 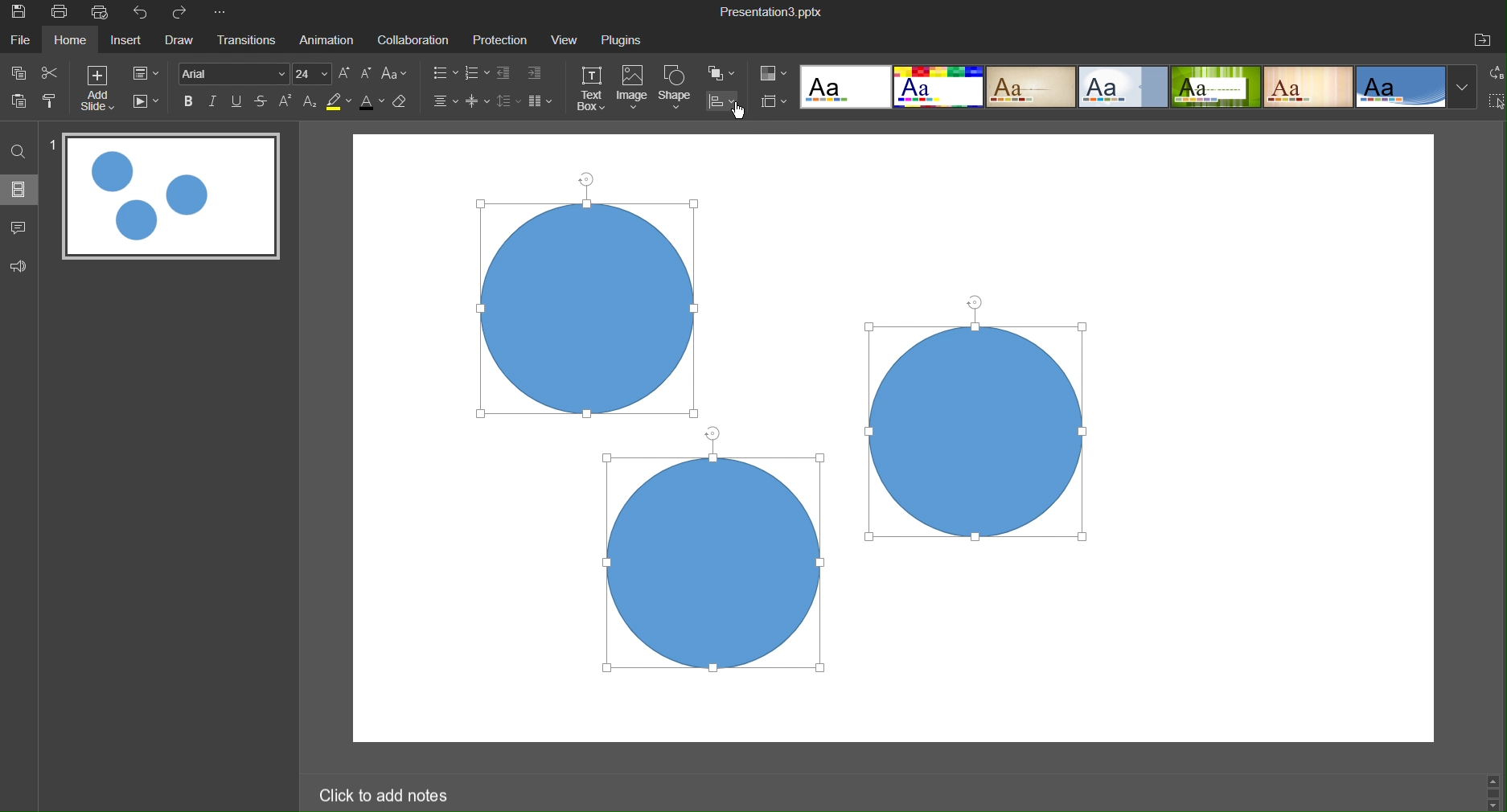 I want to click on More, so click(x=224, y=14).